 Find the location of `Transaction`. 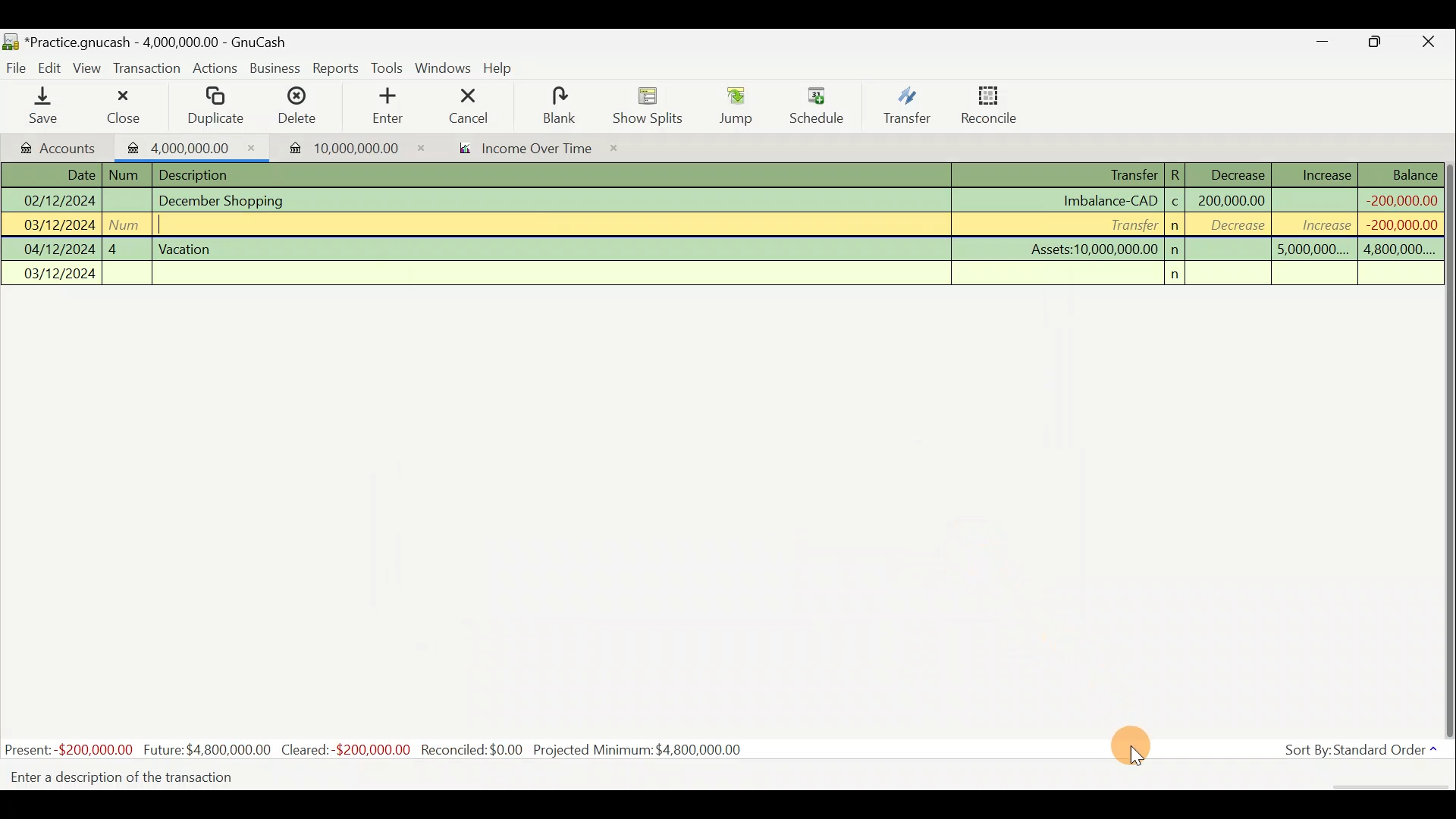

Transaction is located at coordinates (151, 70).